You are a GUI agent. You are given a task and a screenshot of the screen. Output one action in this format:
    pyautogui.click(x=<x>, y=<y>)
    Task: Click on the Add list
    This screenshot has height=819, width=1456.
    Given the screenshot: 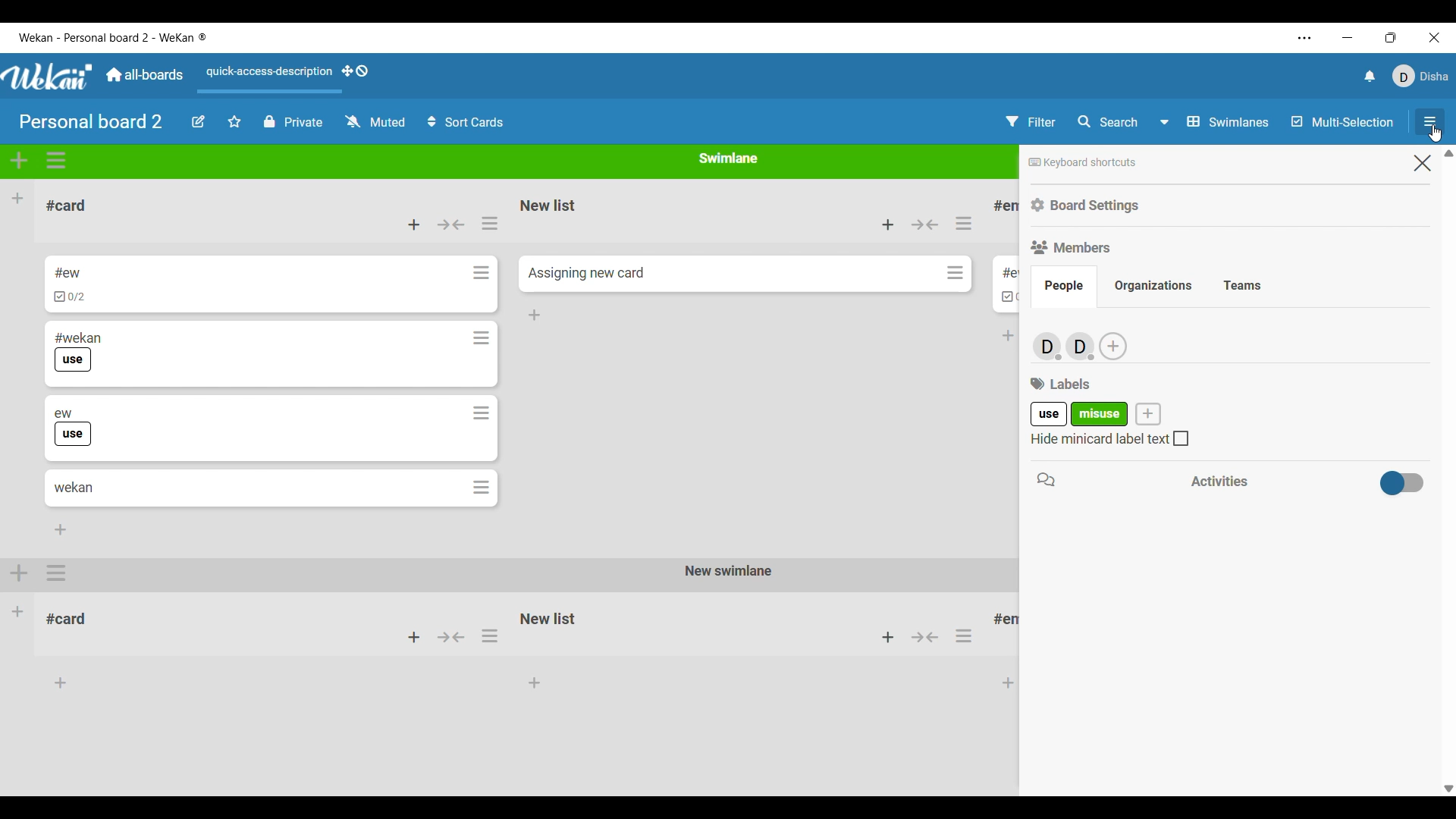 What is the action you would take?
    pyautogui.click(x=18, y=198)
    